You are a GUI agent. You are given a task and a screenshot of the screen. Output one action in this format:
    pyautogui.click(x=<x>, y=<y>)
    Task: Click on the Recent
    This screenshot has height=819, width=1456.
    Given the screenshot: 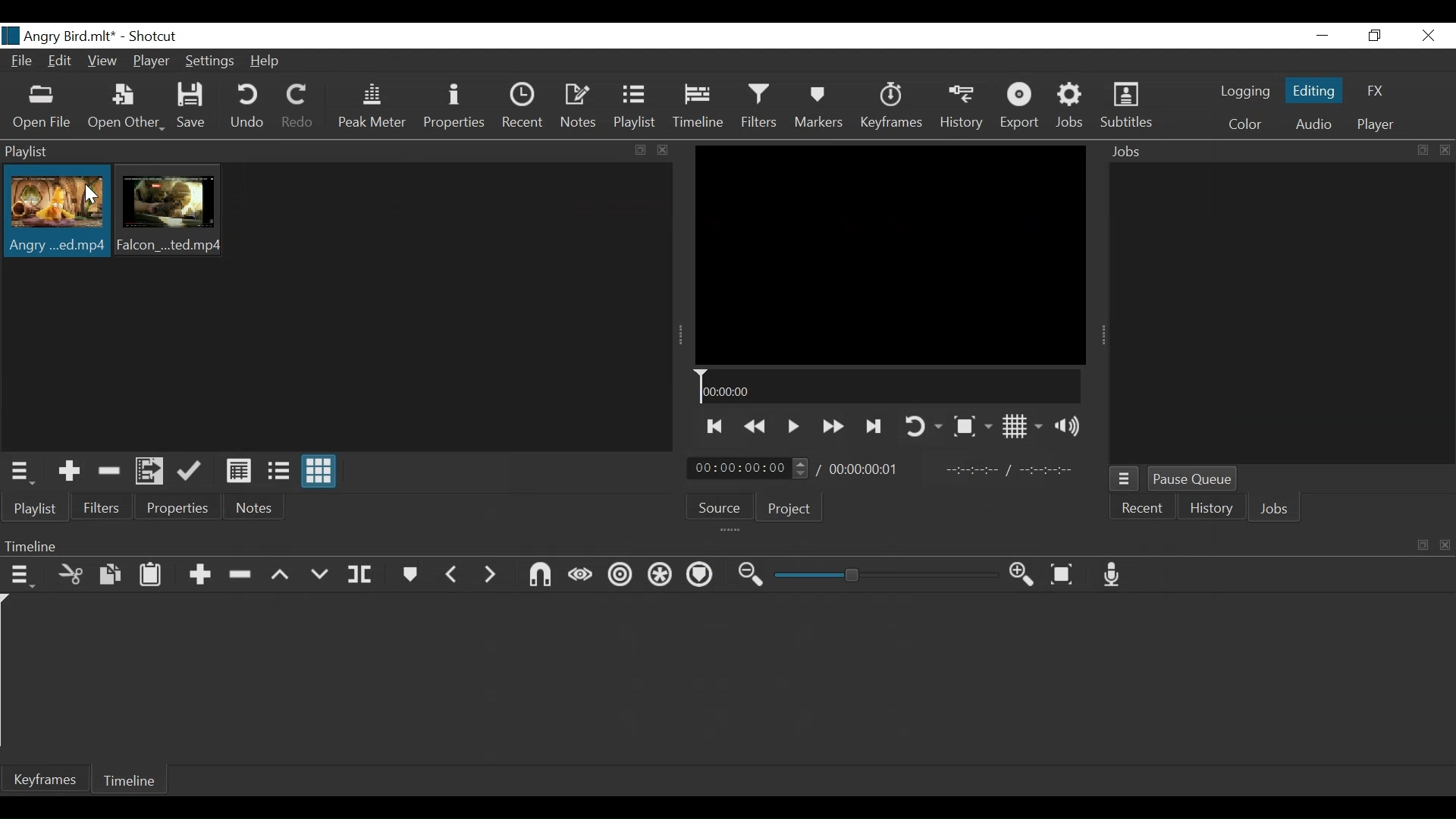 What is the action you would take?
    pyautogui.click(x=1143, y=507)
    